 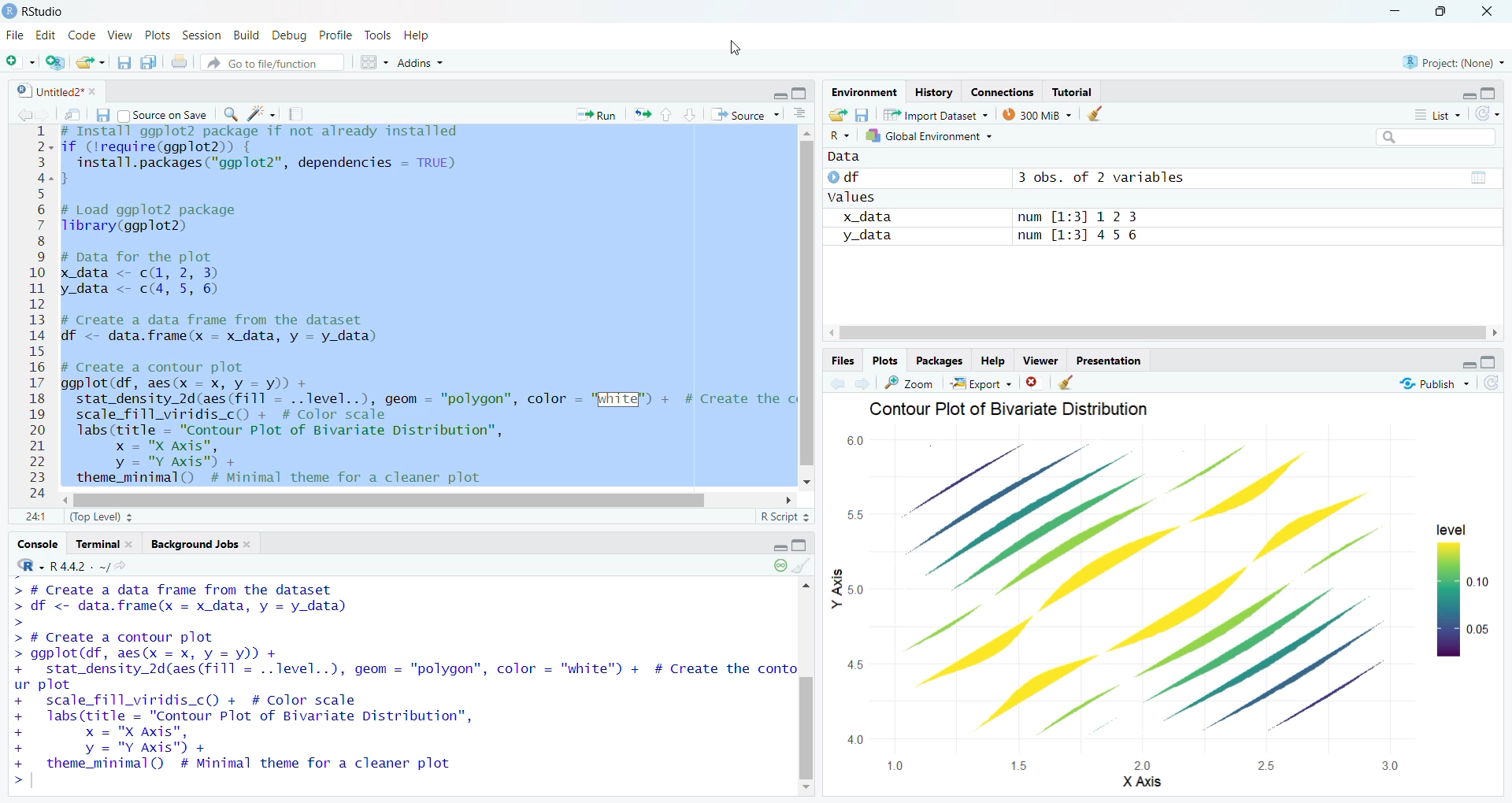 What do you see at coordinates (35, 12) in the screenshot?
I see ` Rstudio` at bounding box center [35, 12].